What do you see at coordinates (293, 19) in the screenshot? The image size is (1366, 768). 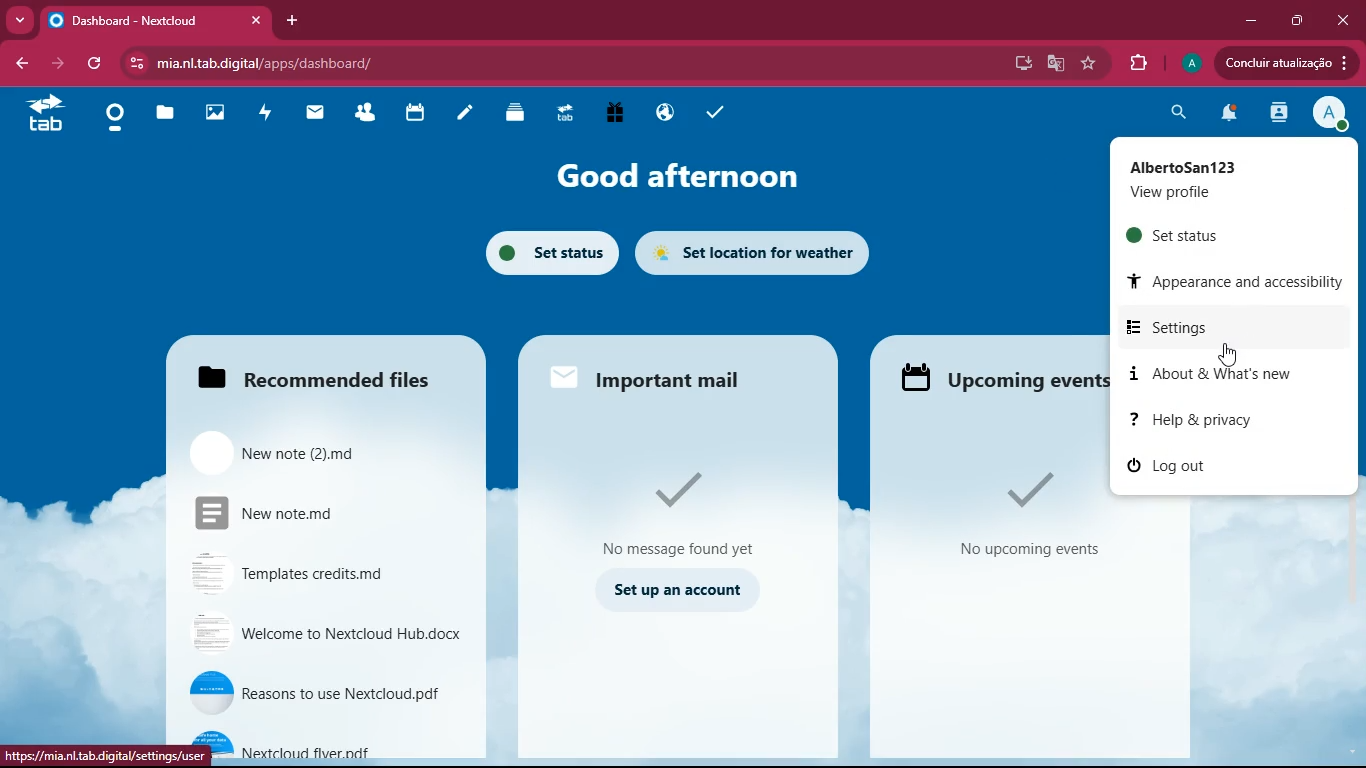 I see `add tab` at bounding box center [293, 19].